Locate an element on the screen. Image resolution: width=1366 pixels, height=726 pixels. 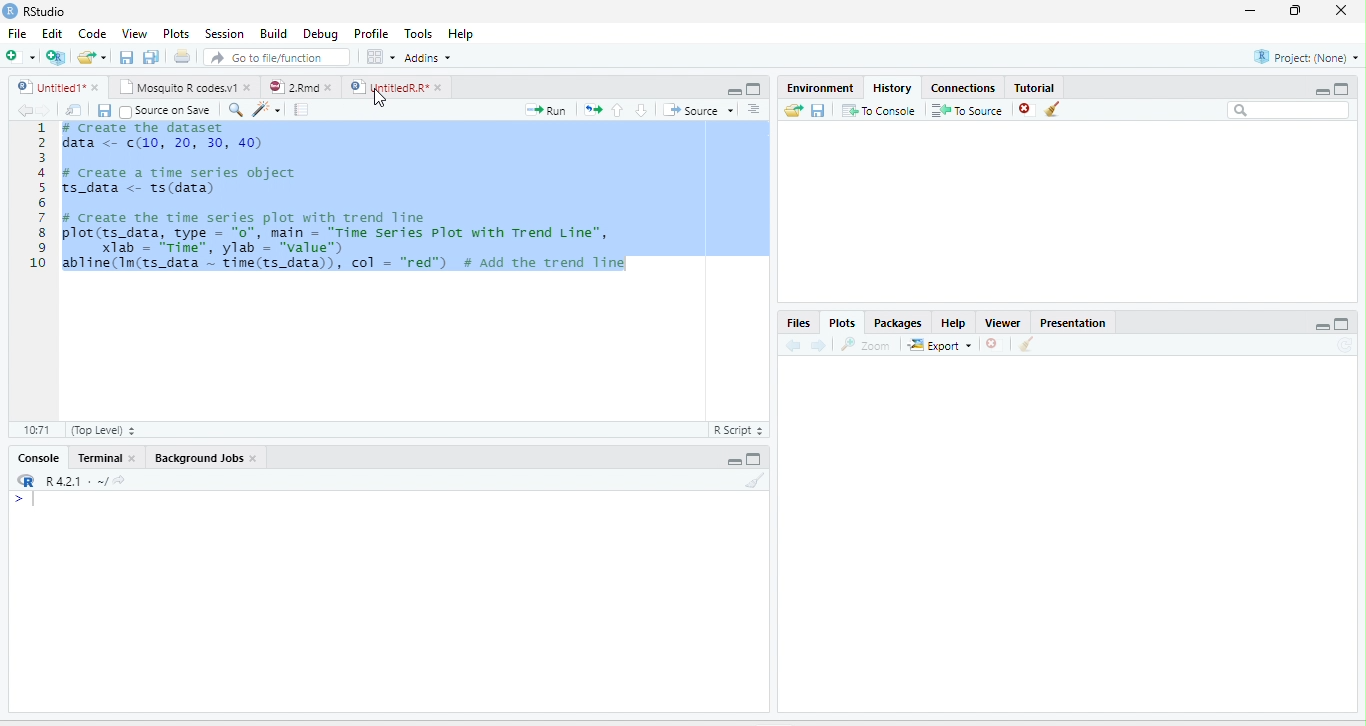
Help is located at coordinates (954, 323).